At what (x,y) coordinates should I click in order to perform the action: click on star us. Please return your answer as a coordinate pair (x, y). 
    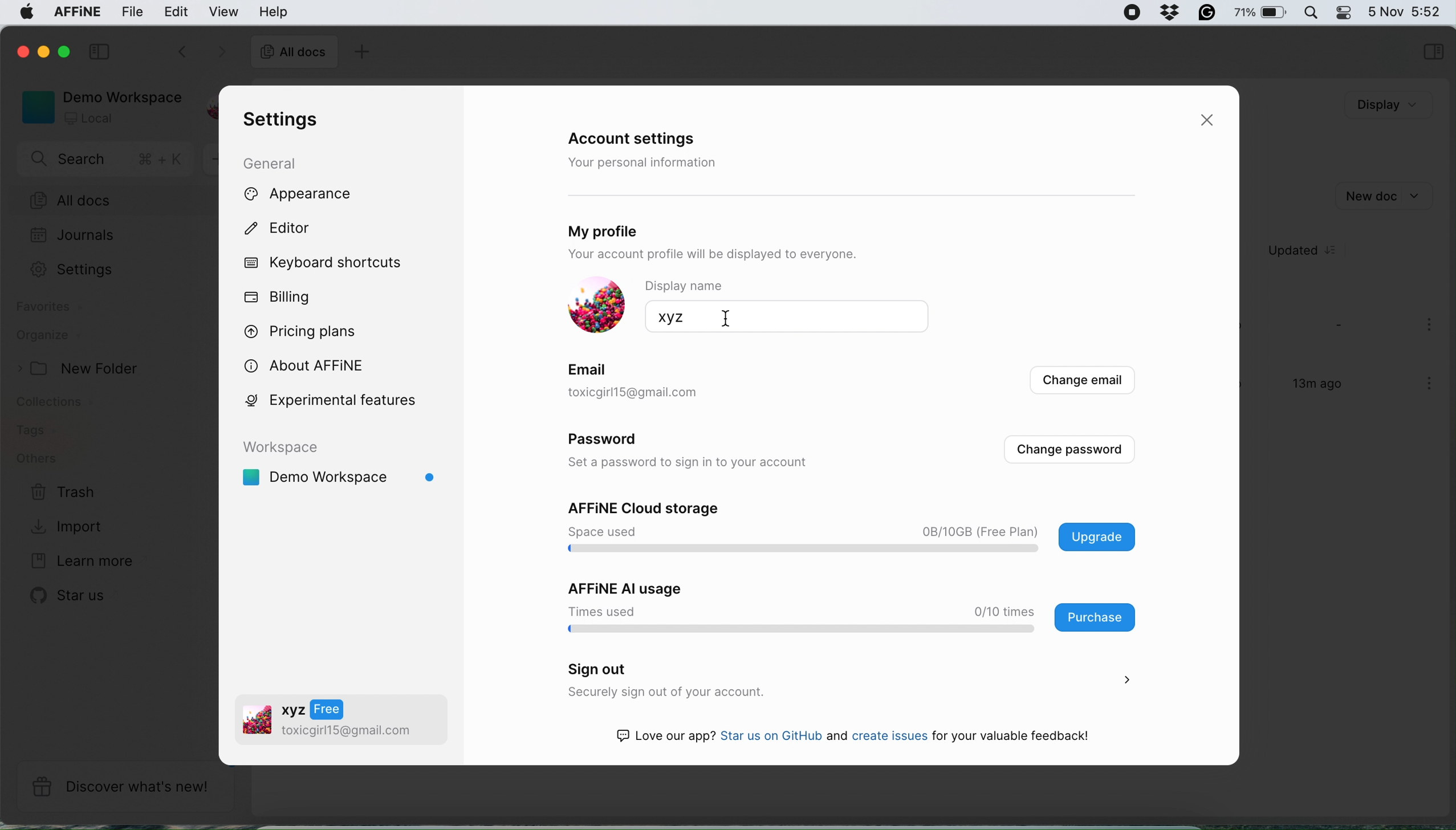
    Looking at the image, I should click on (71, 595).